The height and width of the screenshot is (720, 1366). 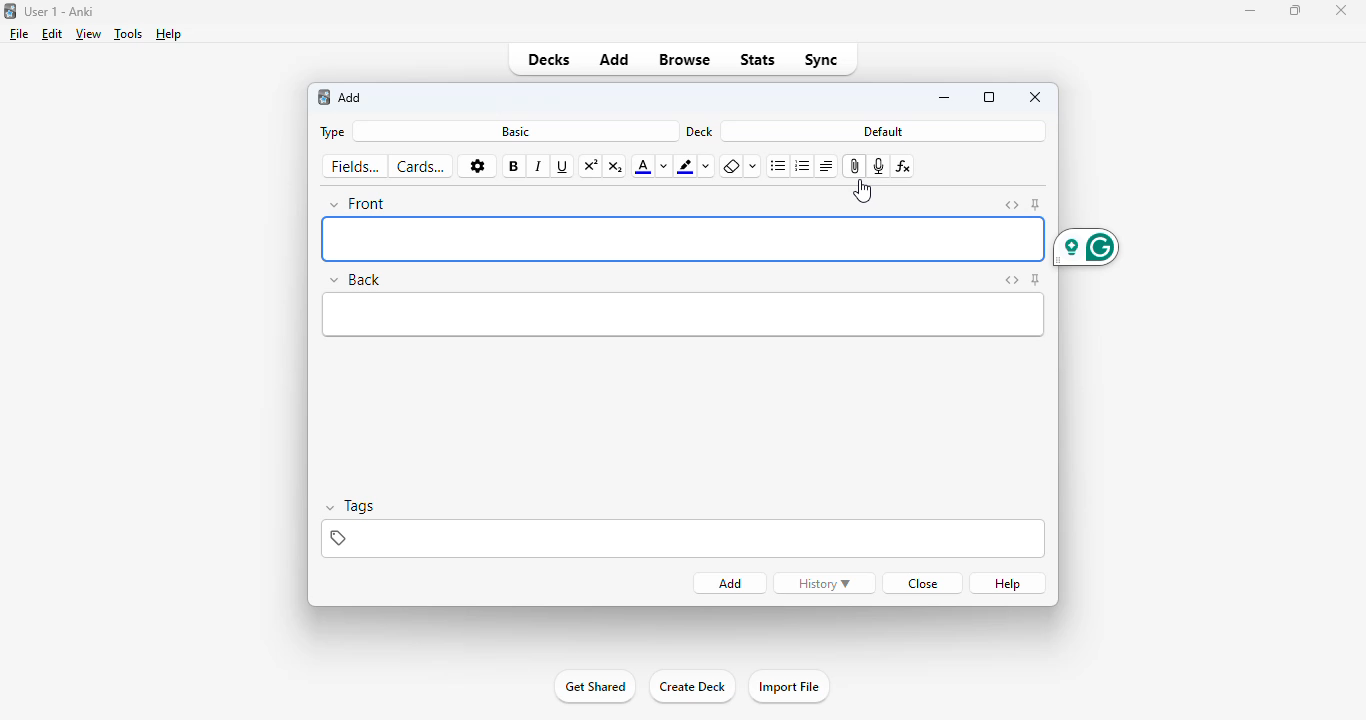 I want to click on maximize, so click(x=1294, y=10).